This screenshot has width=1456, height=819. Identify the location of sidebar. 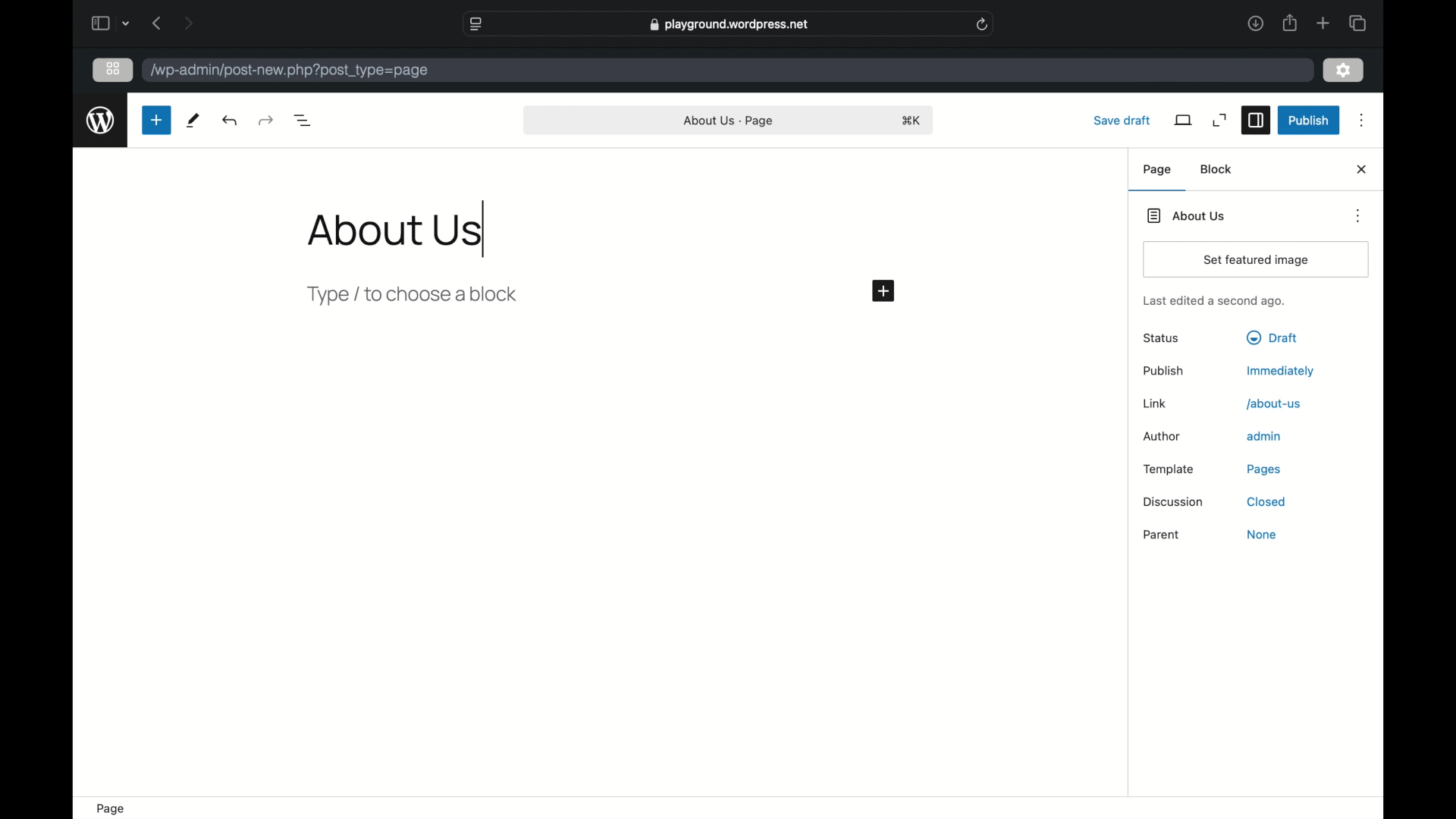
(1256, 121).